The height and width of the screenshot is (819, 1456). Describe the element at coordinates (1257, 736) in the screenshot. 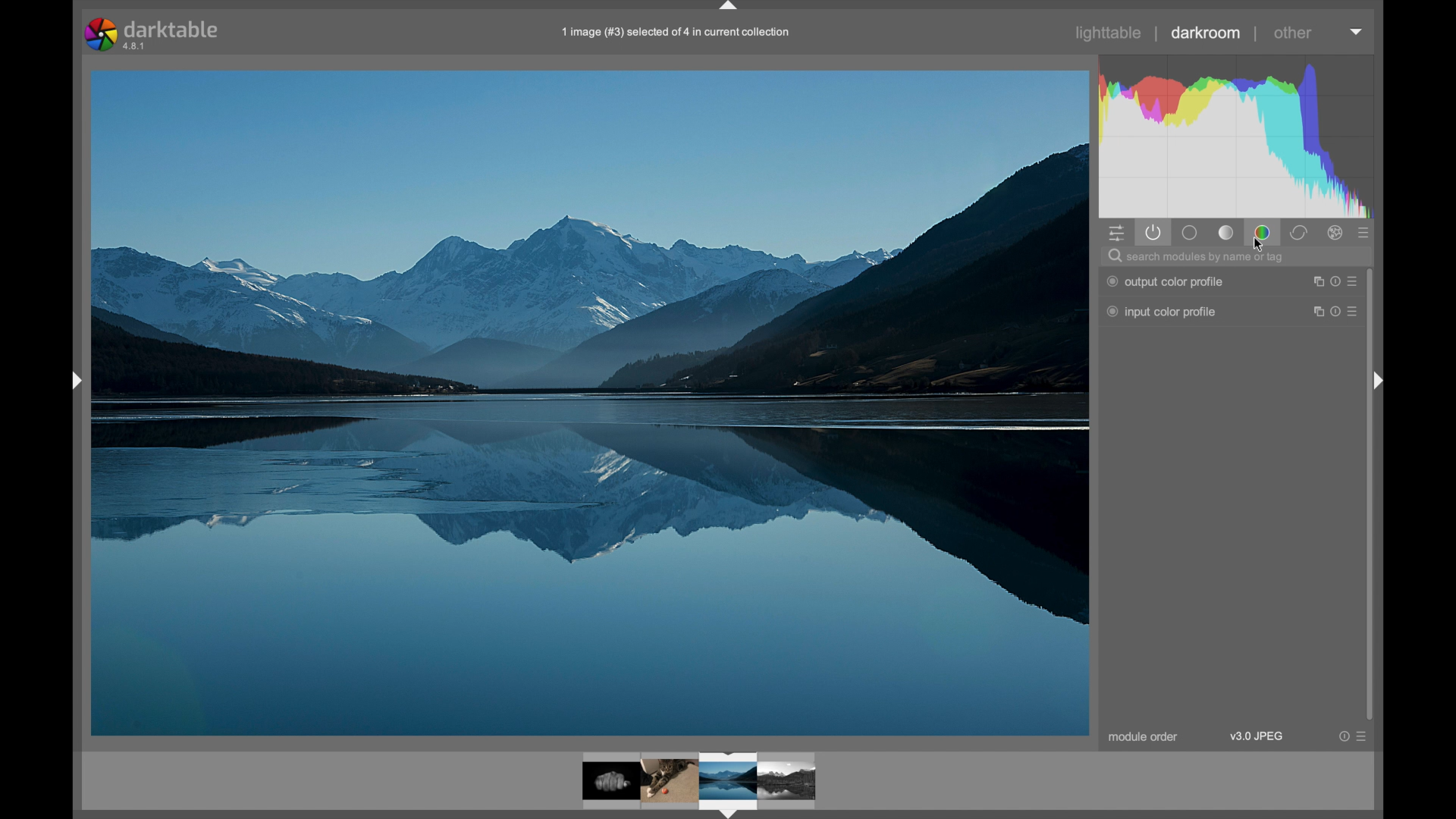

I see `v3.0 jpeg` at that location.